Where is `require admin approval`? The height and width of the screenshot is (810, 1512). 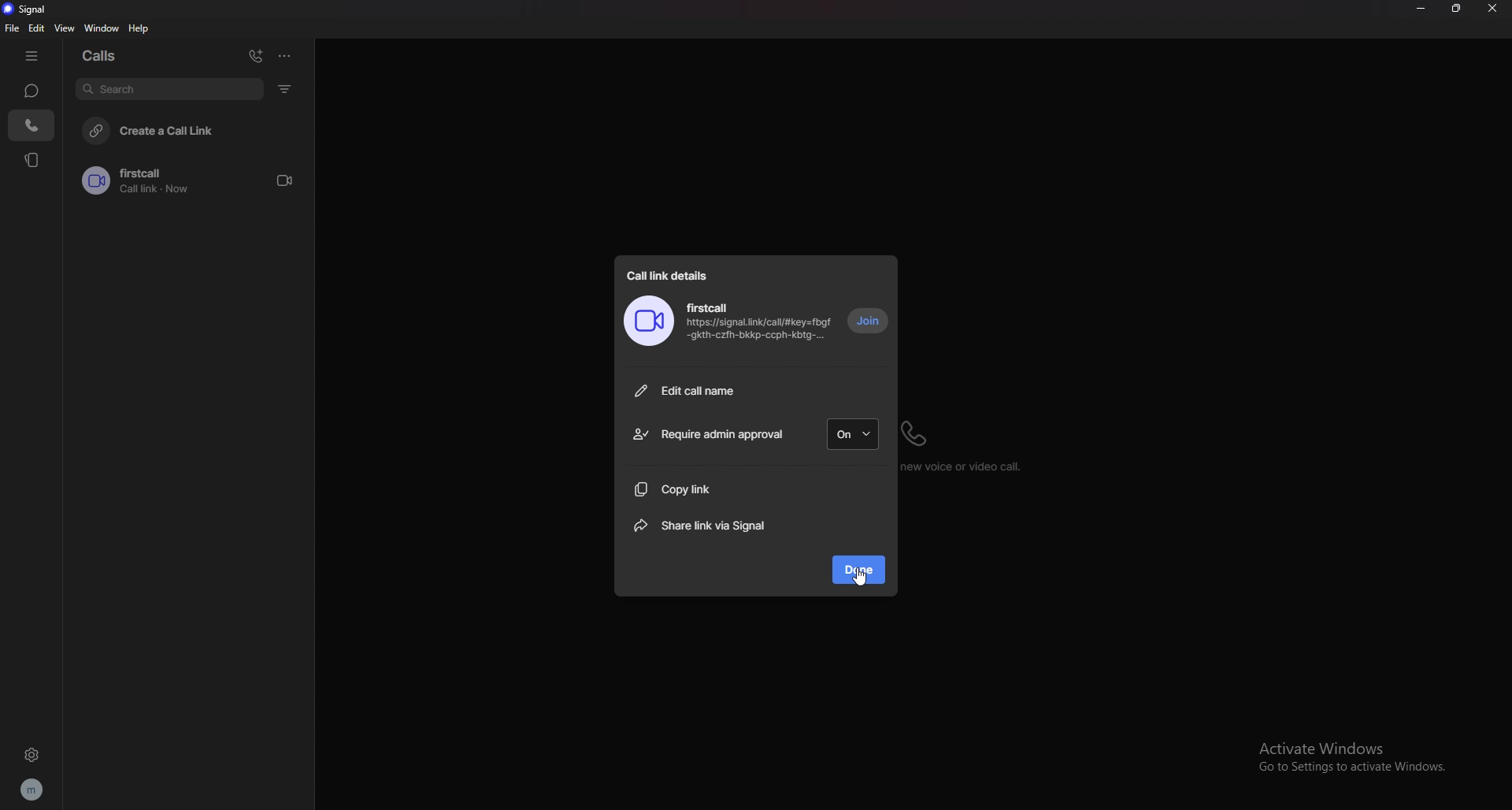 require admin approval is located at coordinates (707, 435).